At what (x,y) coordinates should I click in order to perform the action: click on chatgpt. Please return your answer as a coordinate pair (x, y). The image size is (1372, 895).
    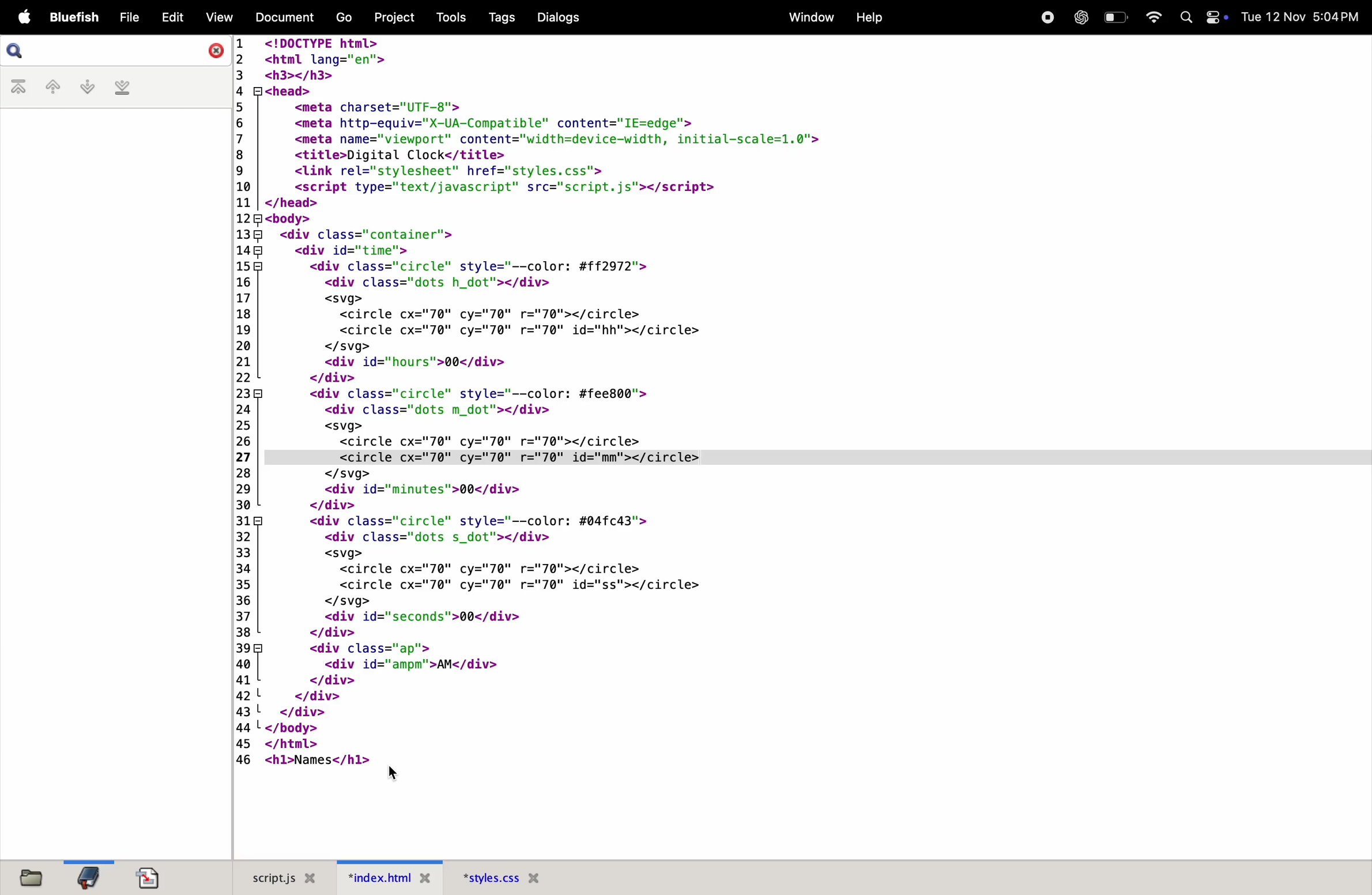
    Looking at the image, I should click on (1077, 17).